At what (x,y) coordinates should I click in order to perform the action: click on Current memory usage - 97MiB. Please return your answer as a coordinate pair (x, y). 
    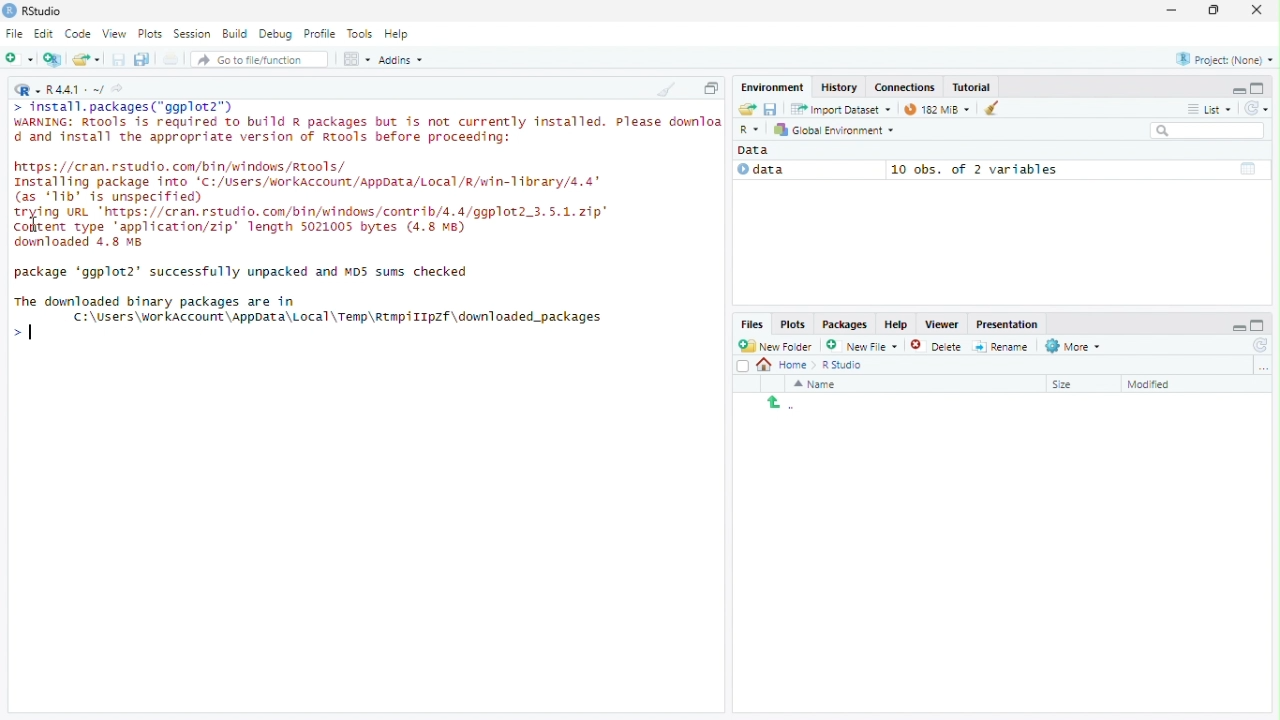
    Looking at the image, I should click on (932, 109).